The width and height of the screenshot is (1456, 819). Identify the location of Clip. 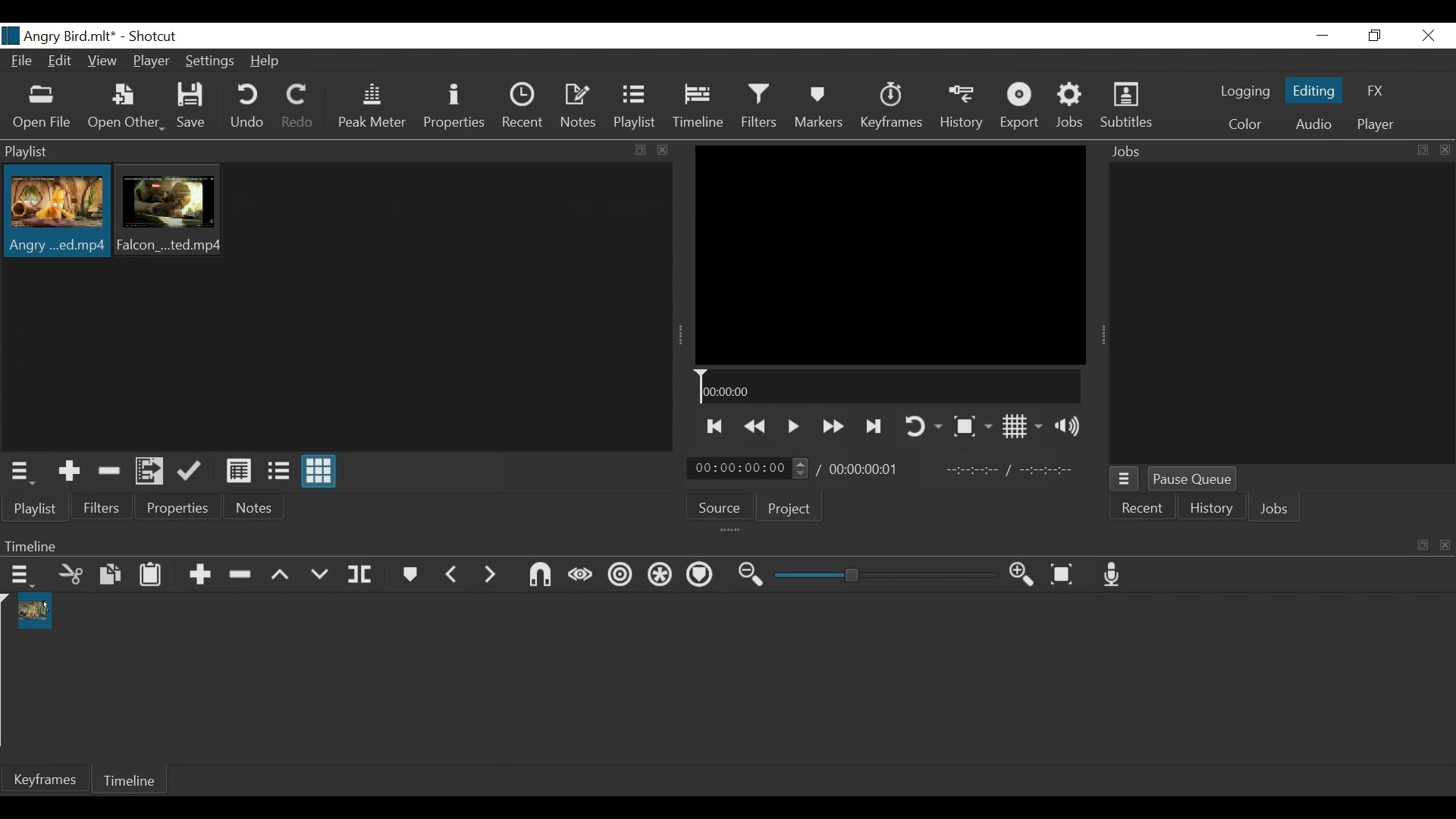
(55, 213).